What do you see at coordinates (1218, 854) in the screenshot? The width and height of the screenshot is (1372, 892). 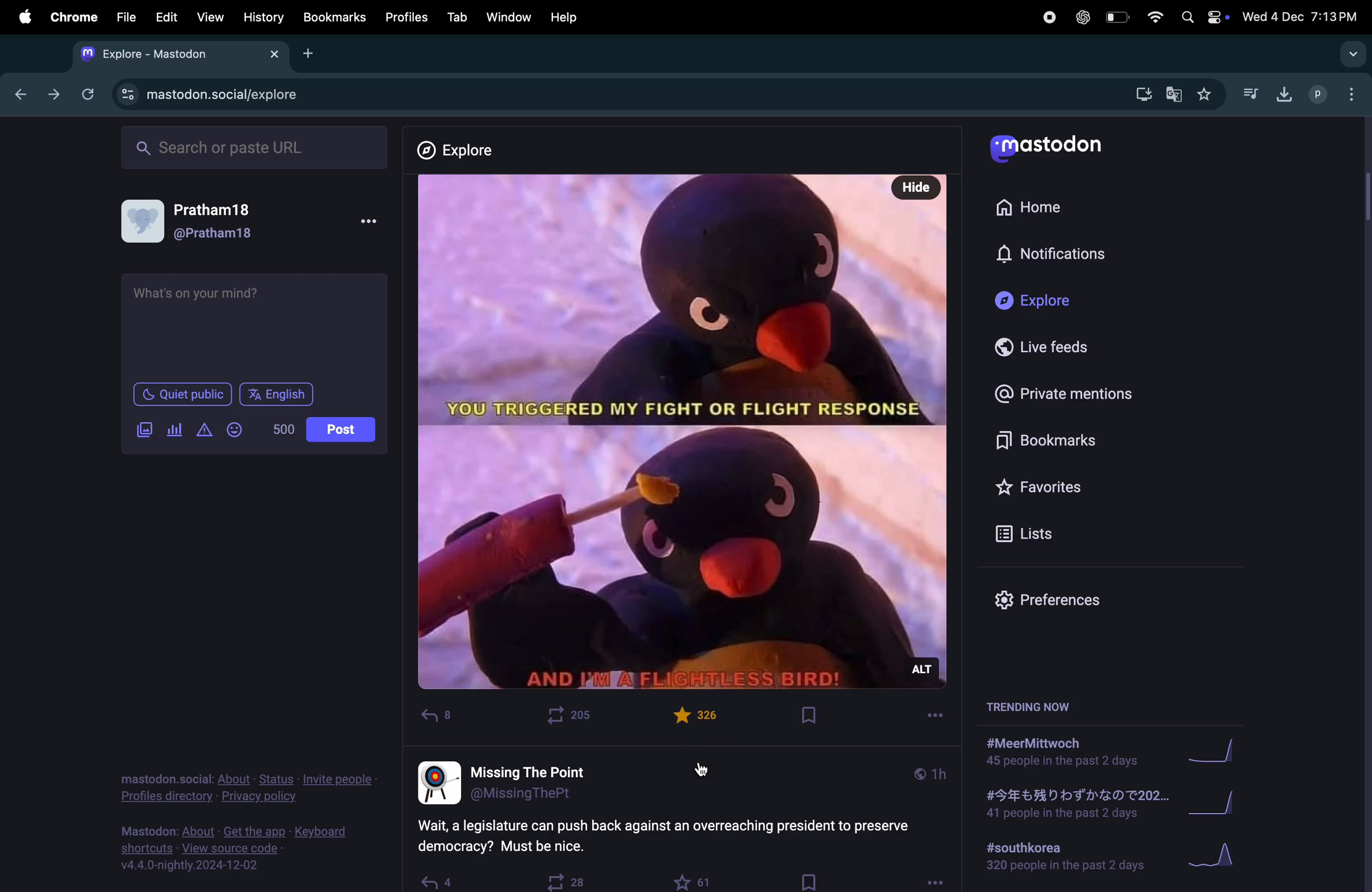 I see `Graph` at bounding box center [1218, 854].